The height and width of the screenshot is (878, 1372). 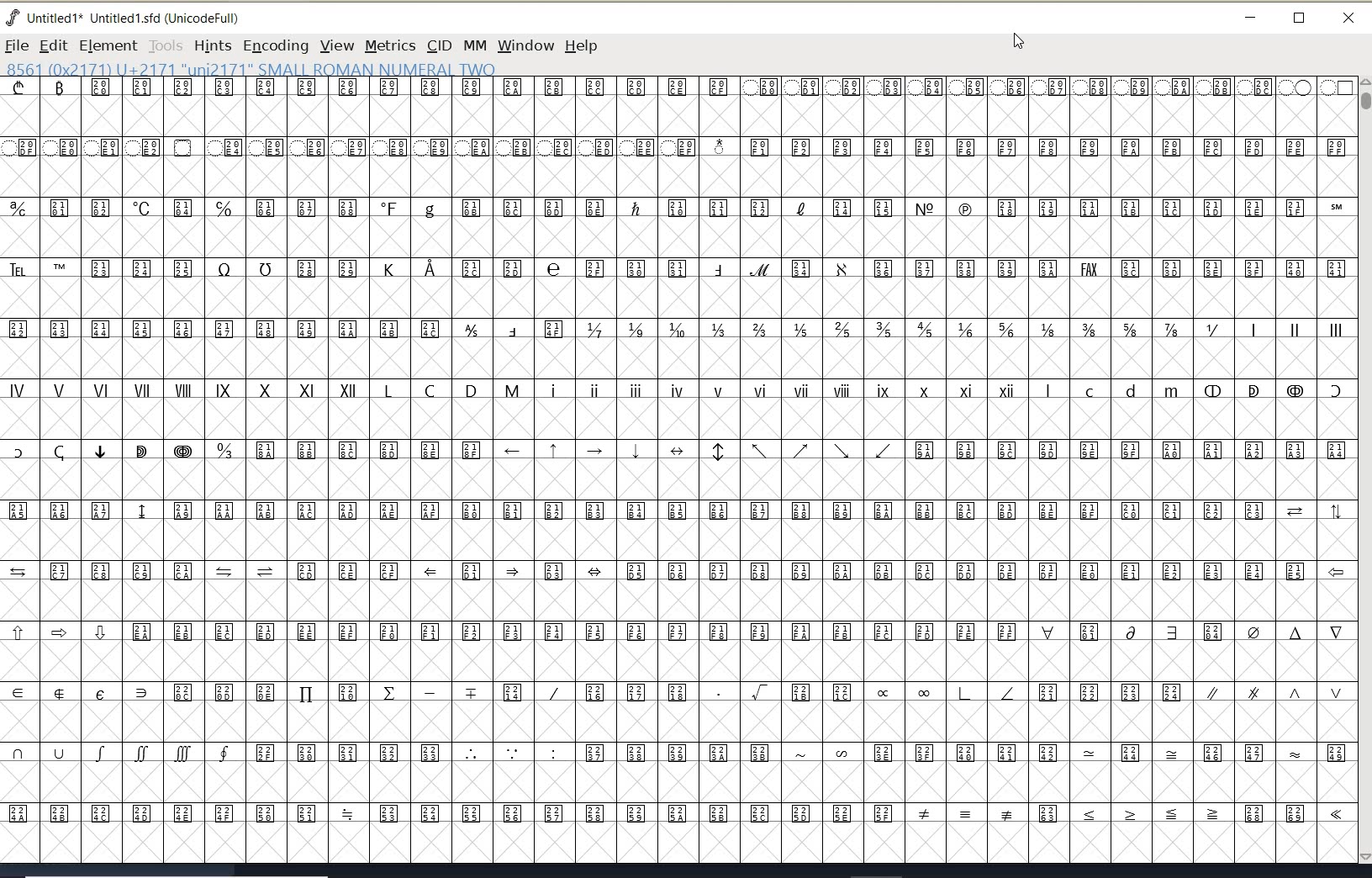 I want to click on HINTS, so click(x=212, y=46).